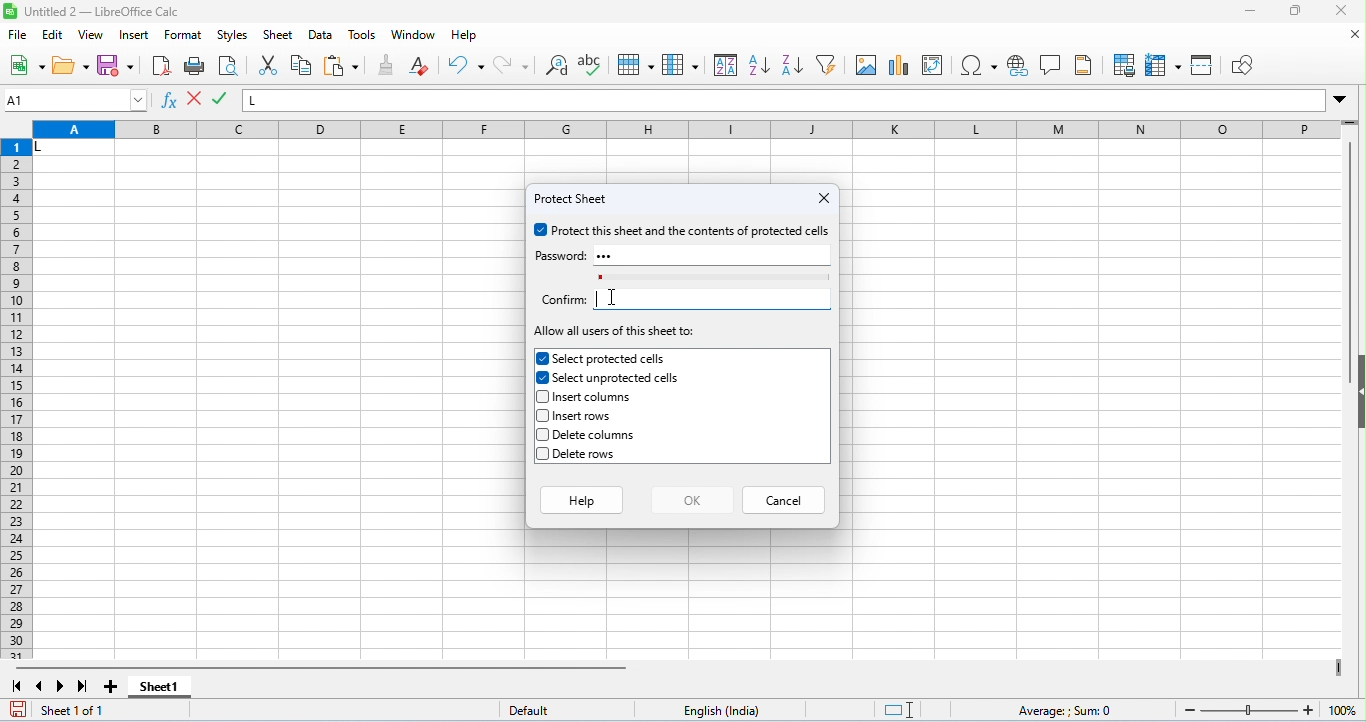  Describe the element at coordinates (598, 298) in the screenshot. I see `typing cursor appeared` at that location.